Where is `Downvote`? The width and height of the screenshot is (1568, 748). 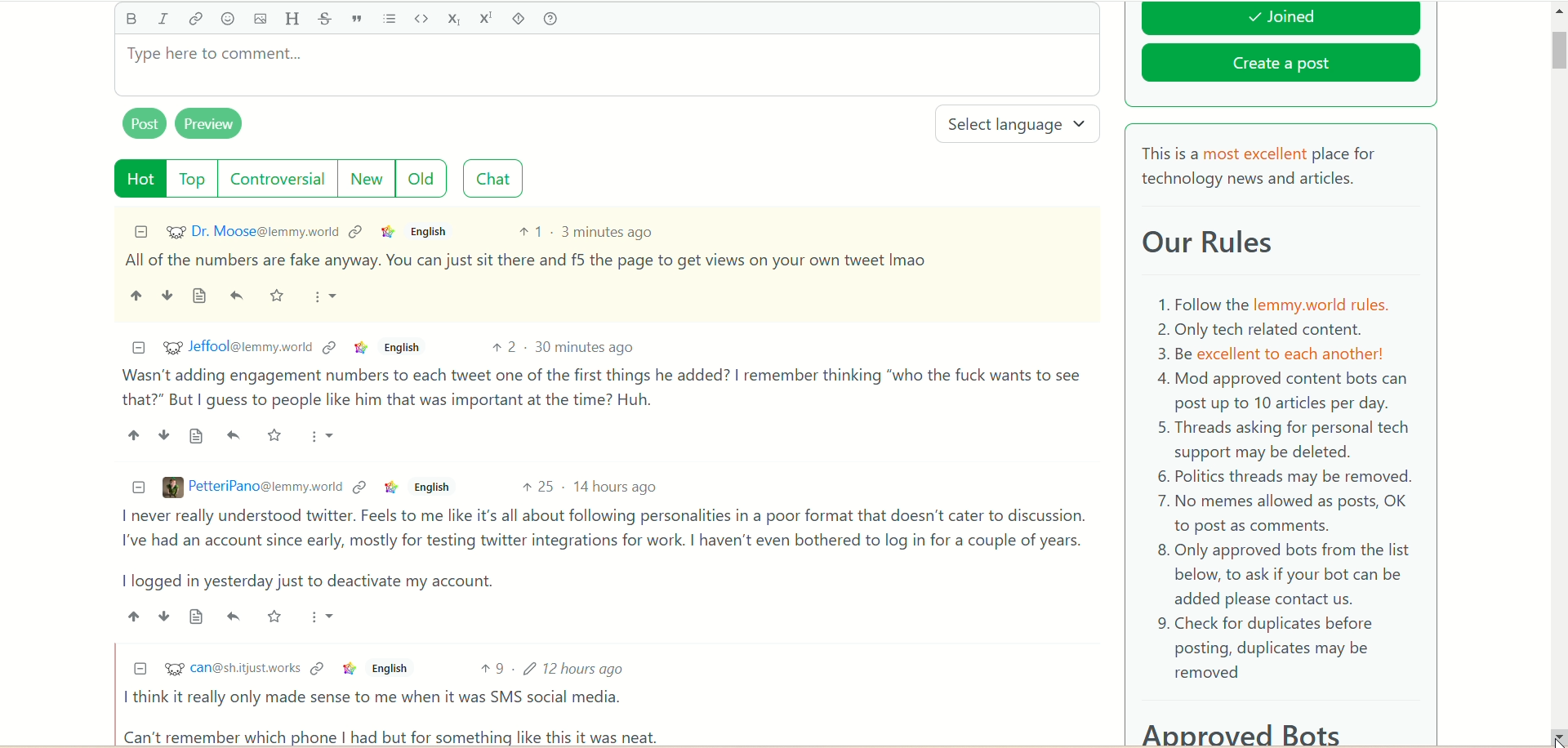
Downvote is located at coordinates (164, 434).